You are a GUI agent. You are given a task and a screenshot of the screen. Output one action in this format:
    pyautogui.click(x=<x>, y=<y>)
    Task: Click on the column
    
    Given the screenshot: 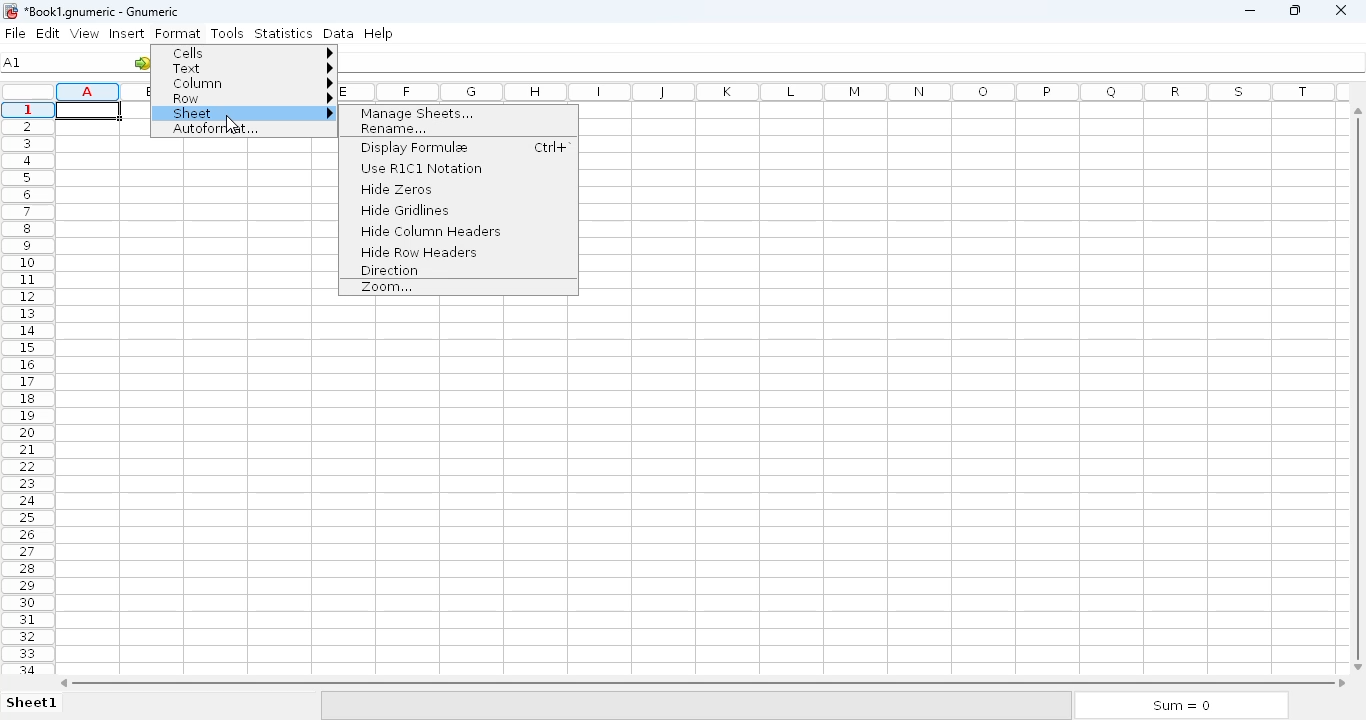 What is the action you would take?
    pyautogui.click(x=249, y=83)
    